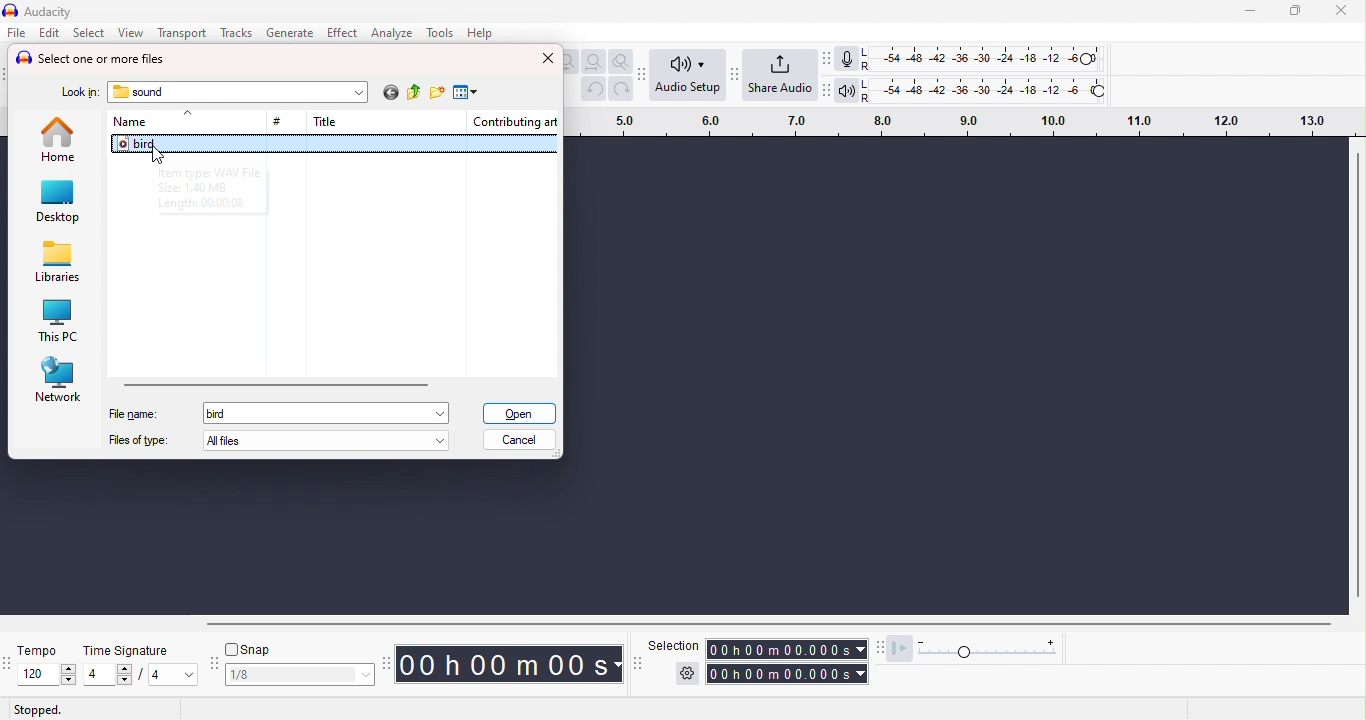  What do you see at coordinates (828, 88) in the screenshot?
I see `playback meter tool bar` at bounding box center [828, 88].